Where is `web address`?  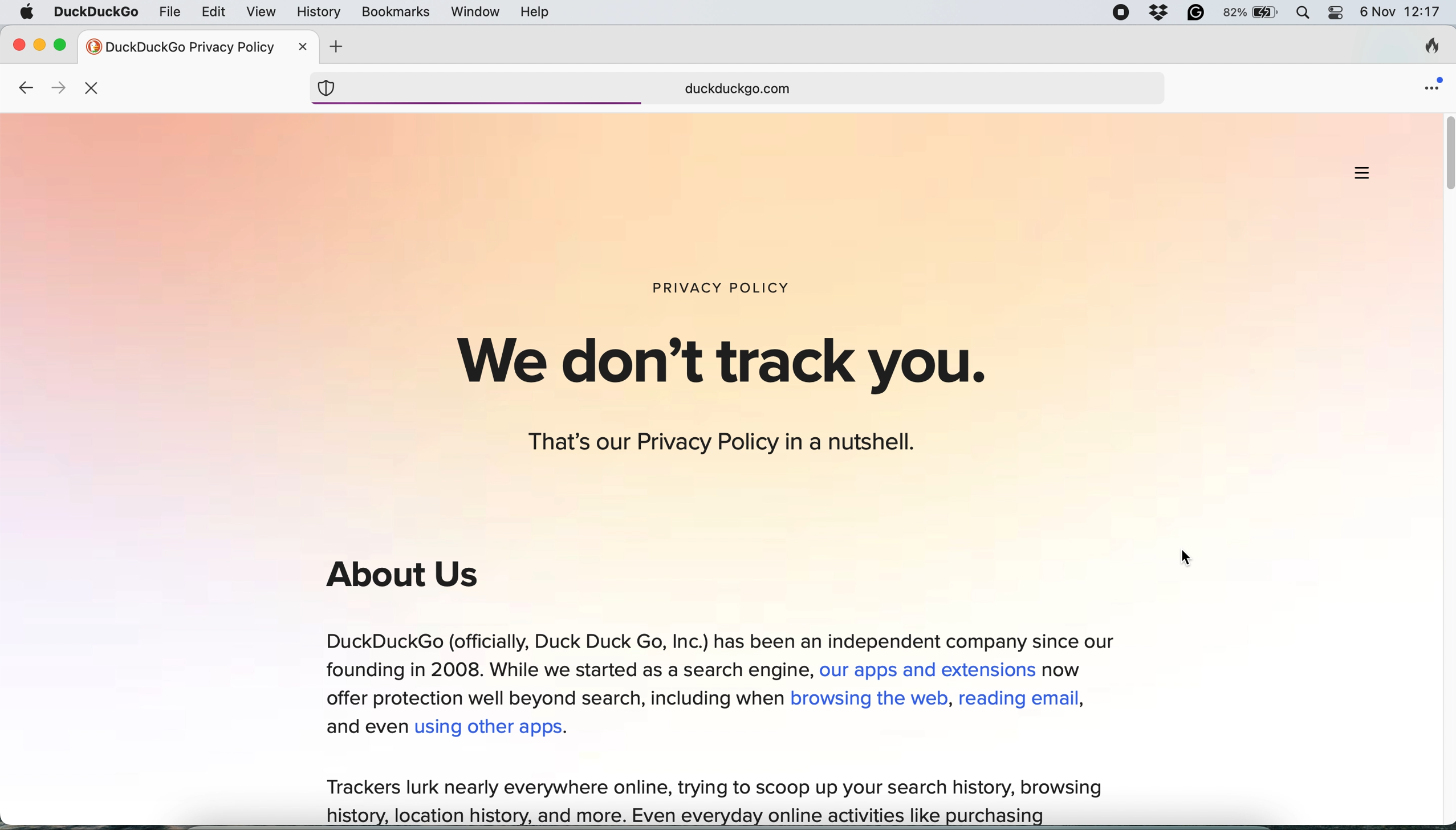 web address is located at coordinates (744, 89).